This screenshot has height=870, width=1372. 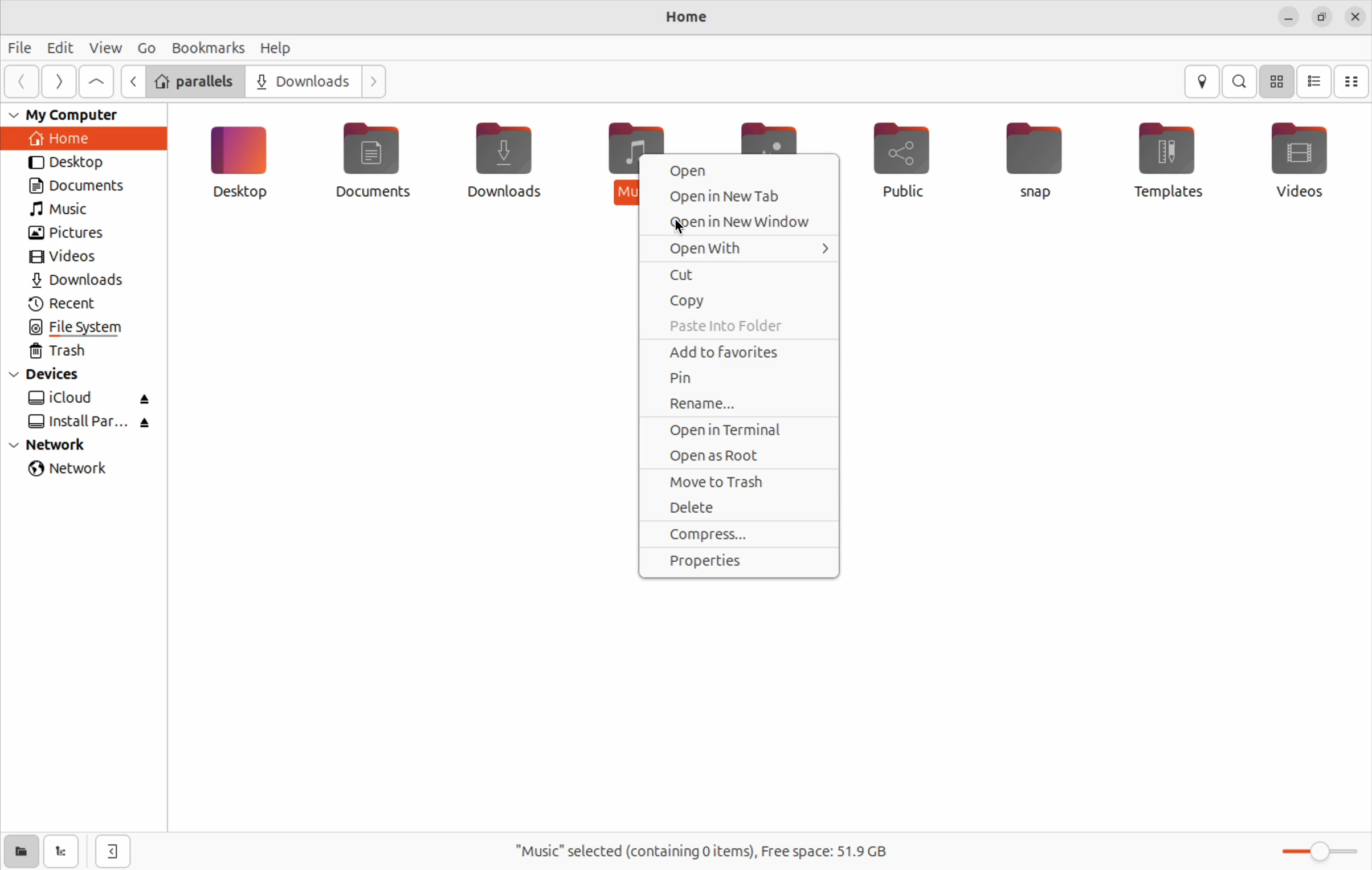 I want to click on move to trash, so click(x=737, y=481).